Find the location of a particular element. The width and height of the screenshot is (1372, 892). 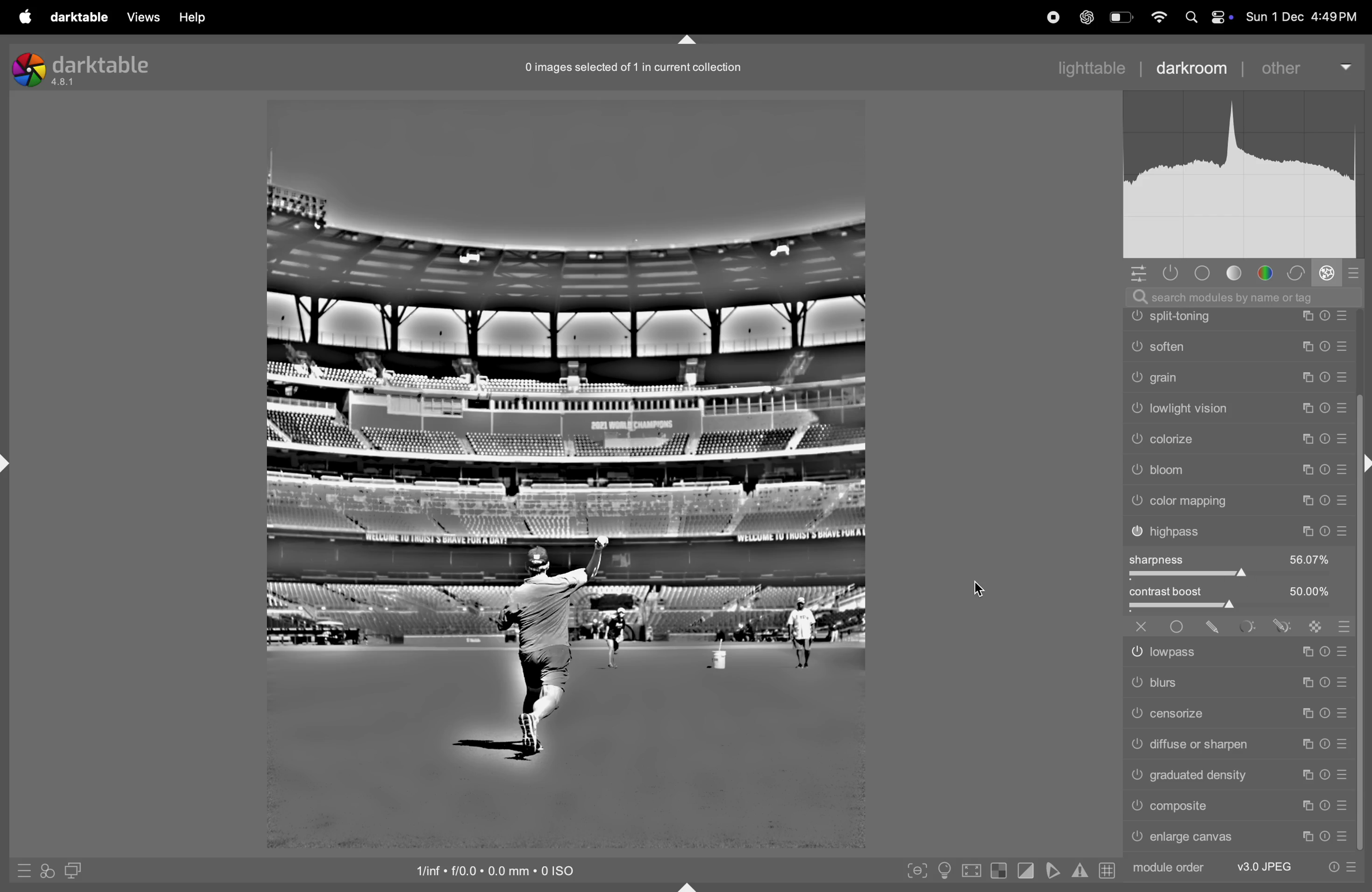

options is located at coordinates (1141, 274).